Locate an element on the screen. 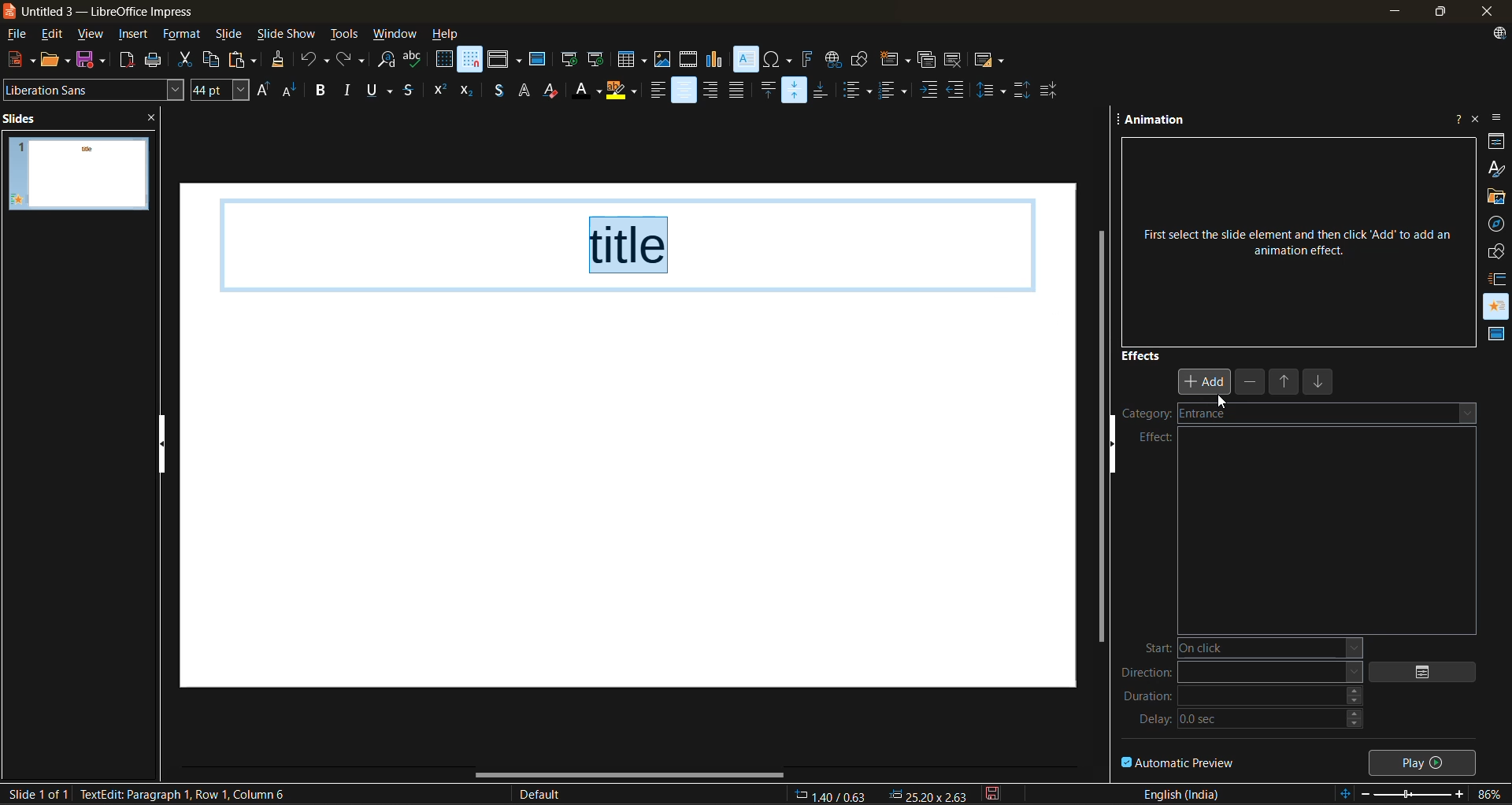  align left is located at coordinates (655, 93).